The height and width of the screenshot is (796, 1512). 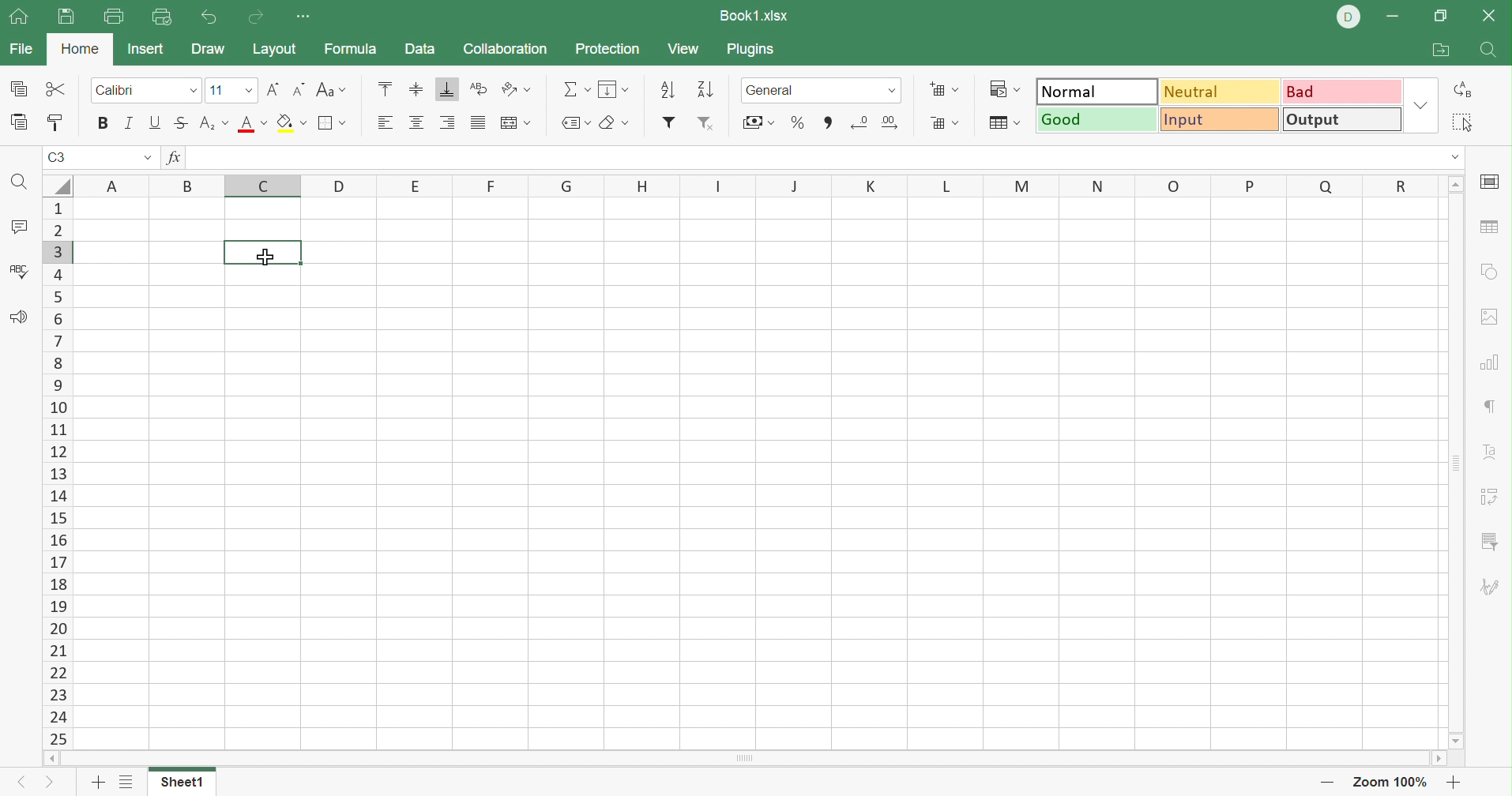 I want to click on Filter, so click(x=671, y=124).